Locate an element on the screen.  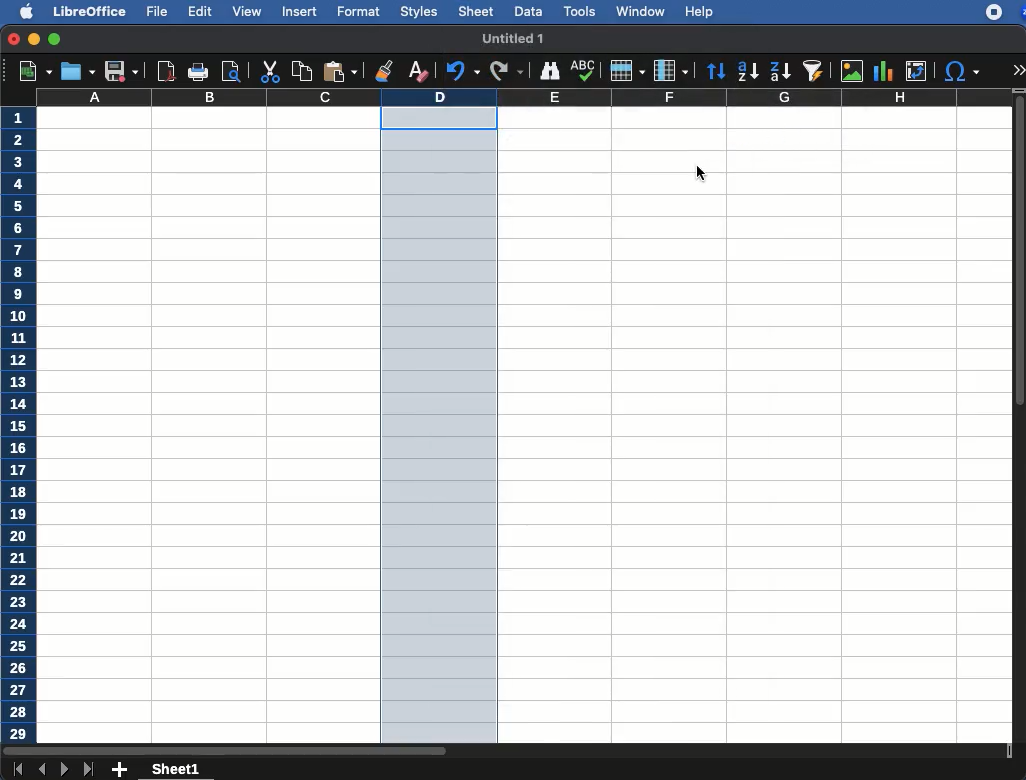
sheet1 is located at coordinates (177, 770).